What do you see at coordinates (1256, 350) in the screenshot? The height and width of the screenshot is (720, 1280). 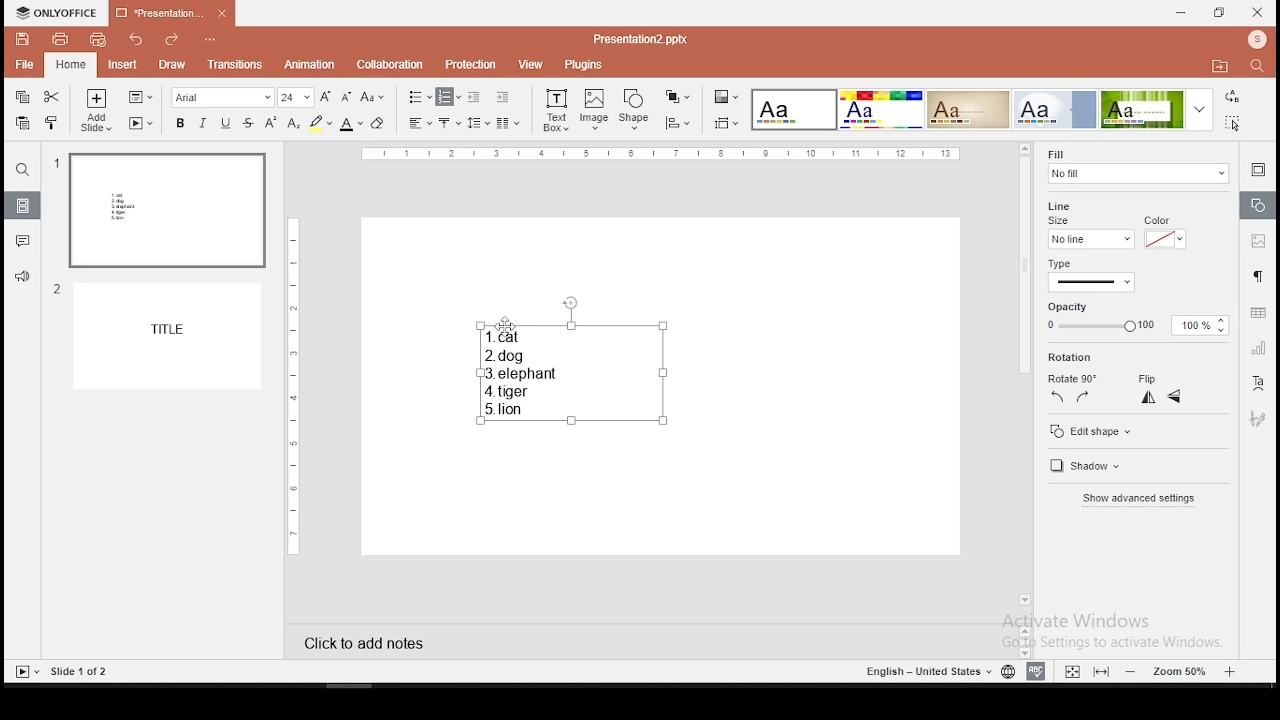 I see `chart settings` at bounding box center [1256, 350].